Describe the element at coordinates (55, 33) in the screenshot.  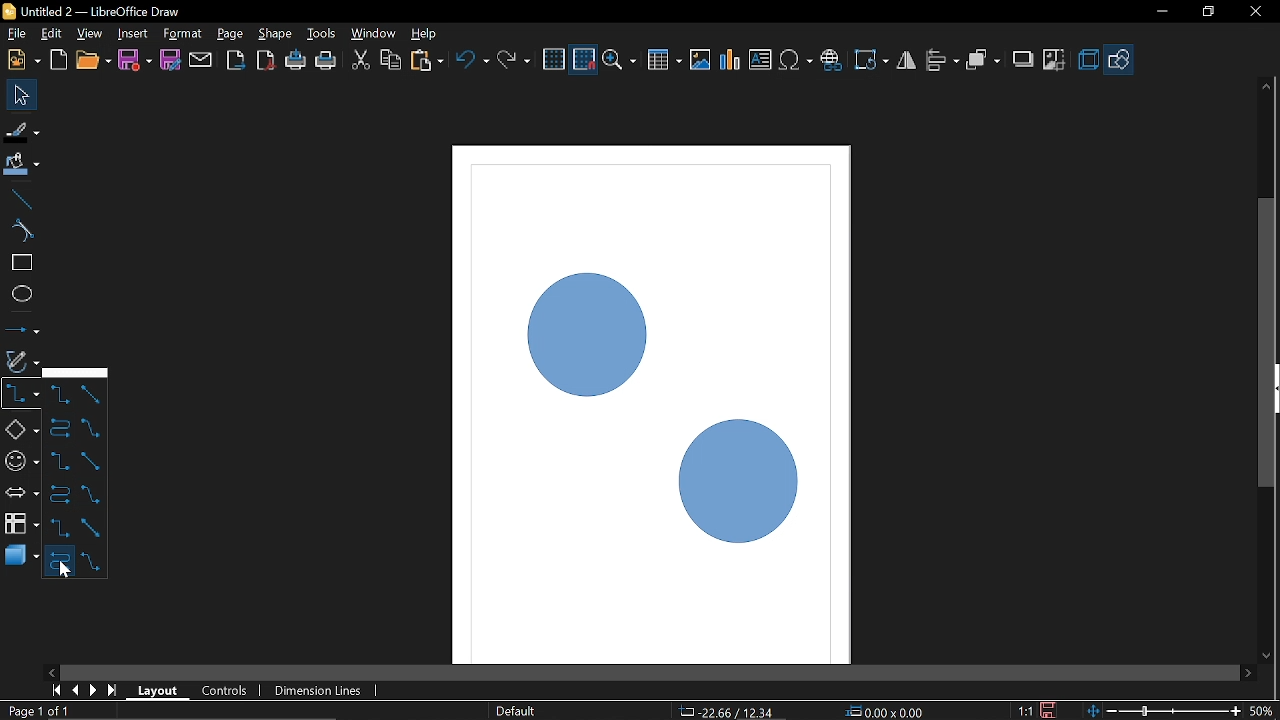
I see `edit` at that location.